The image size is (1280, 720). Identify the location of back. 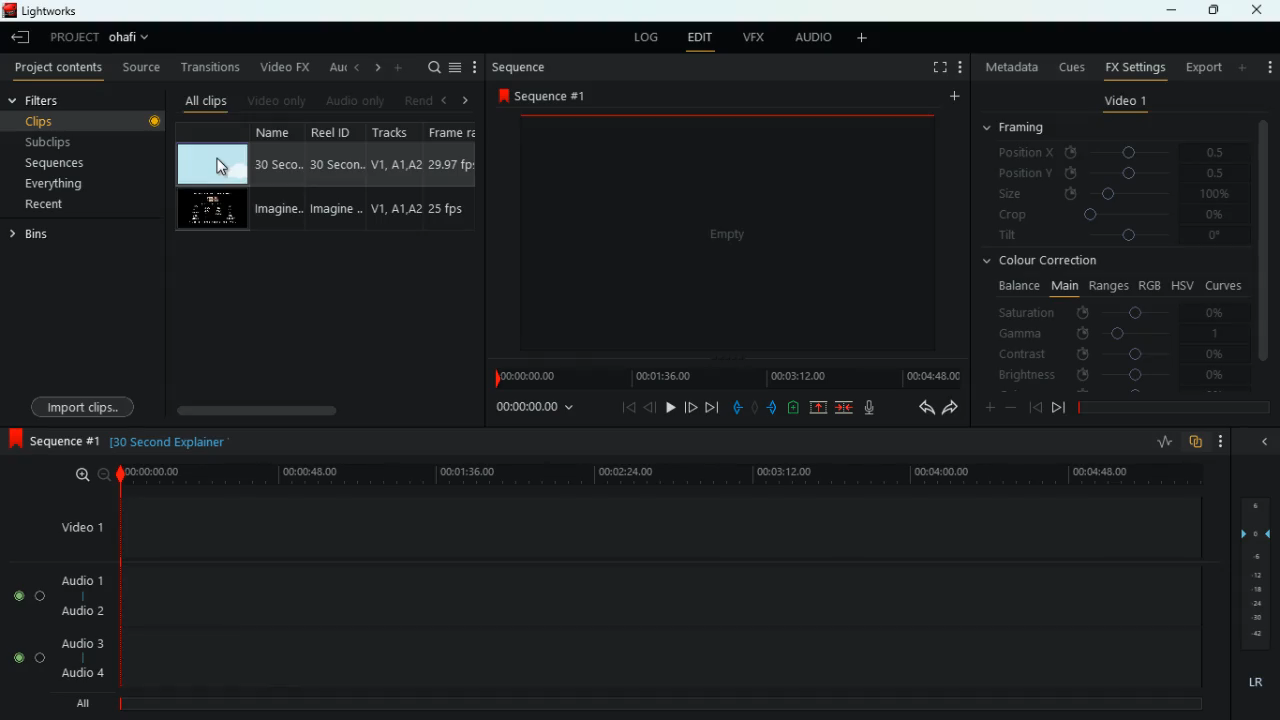
(924, 407).